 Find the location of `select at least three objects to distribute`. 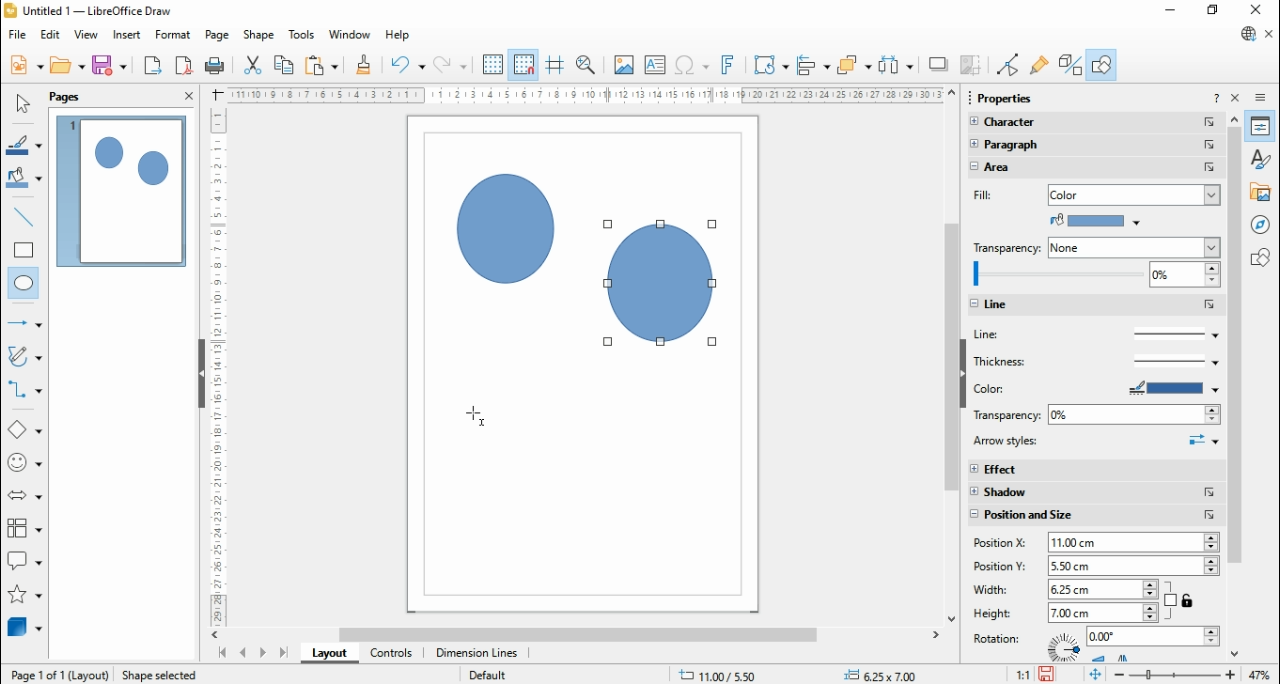

select at least three objects to distribute is located at coordinates (896, 66).